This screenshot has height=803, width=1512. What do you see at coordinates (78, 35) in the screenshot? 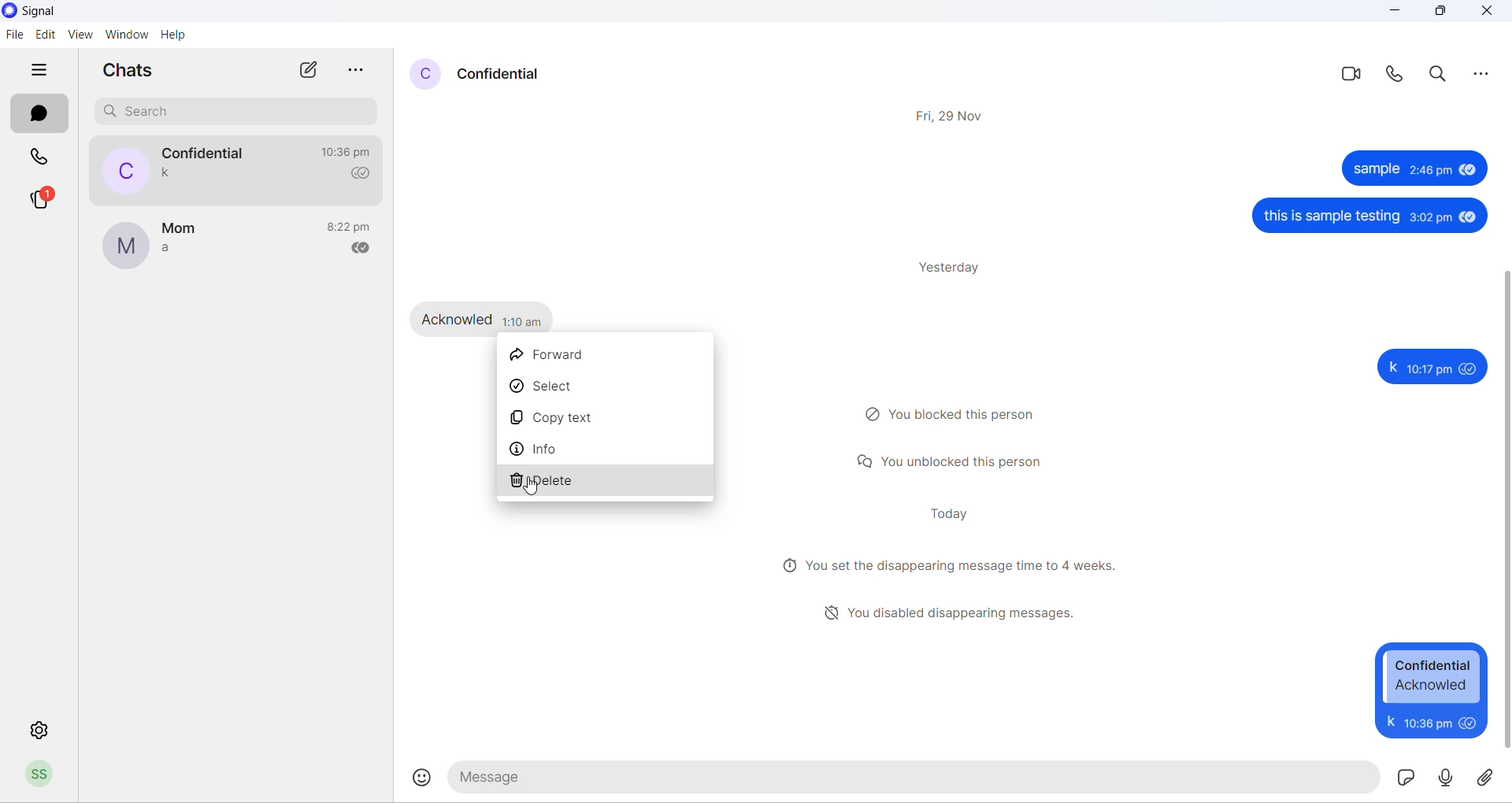
I see `view` at bounding box center [78, 35].